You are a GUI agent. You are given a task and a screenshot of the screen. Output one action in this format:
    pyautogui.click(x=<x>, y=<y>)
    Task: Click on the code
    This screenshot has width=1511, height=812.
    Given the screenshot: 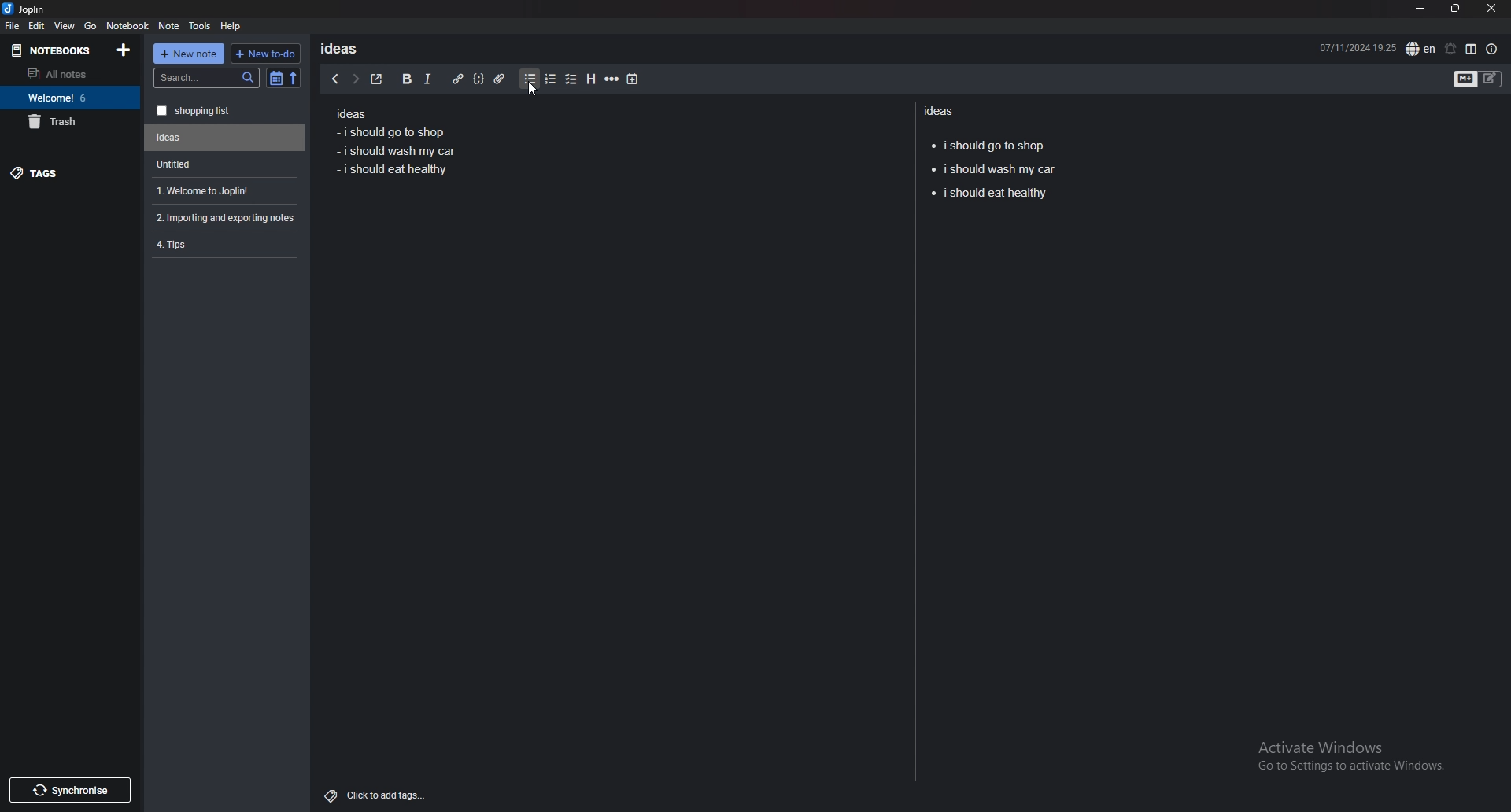 What is the action you would take?
    pyautogui.click(x=478, y=79)
    